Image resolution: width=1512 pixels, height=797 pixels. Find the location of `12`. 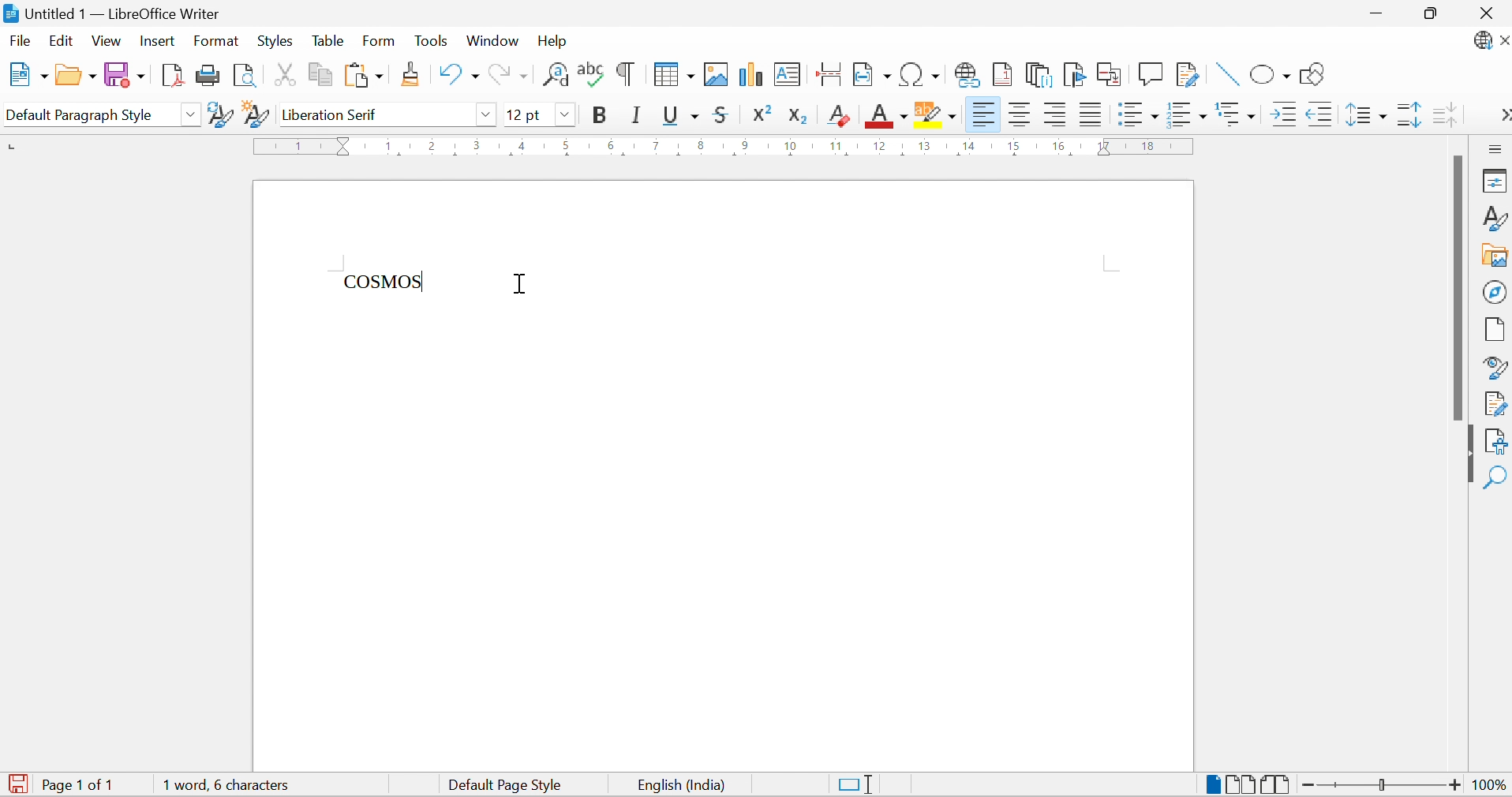

12 is located at coordinates (881, 147).